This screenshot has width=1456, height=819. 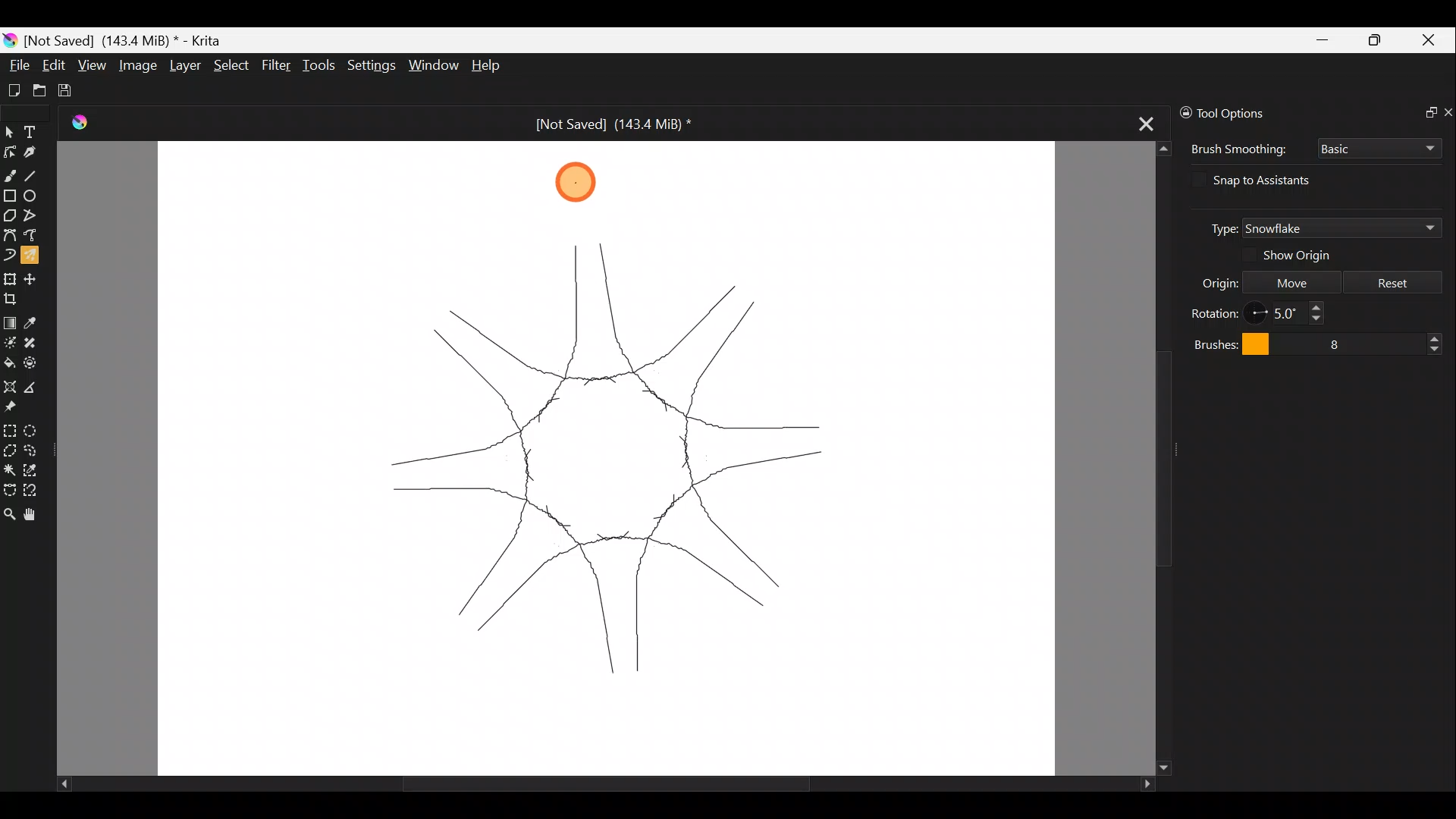 What do you see at coordinates (33, 278) in the screenshot?
I see `Move a layer` at bounding box center [33, 278].